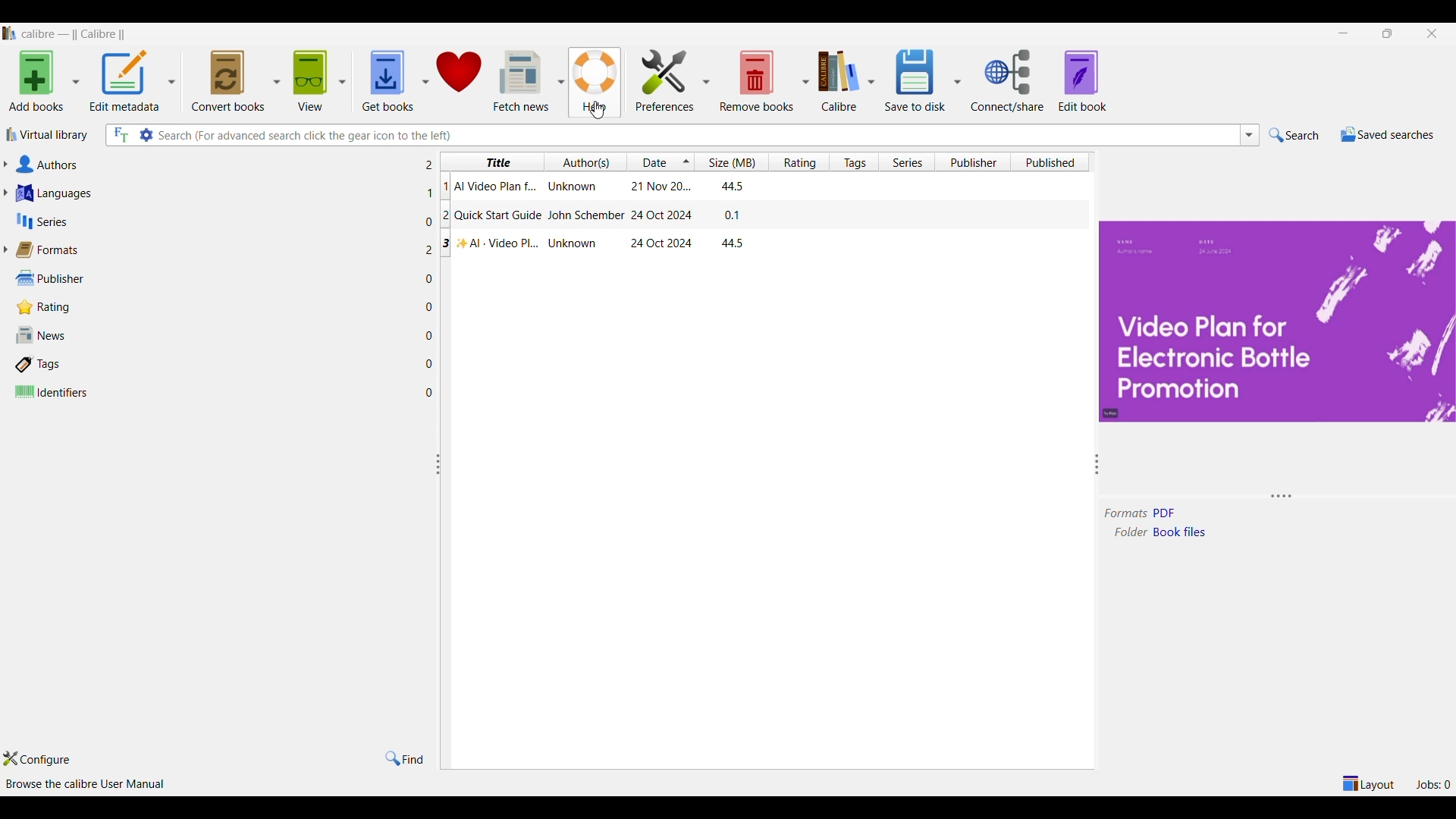 Image resolution: width=1456 pixels, height=819 pixels. Describe the element at coordinates (1293, 134) in the screenshot. I see `Search` at that location.